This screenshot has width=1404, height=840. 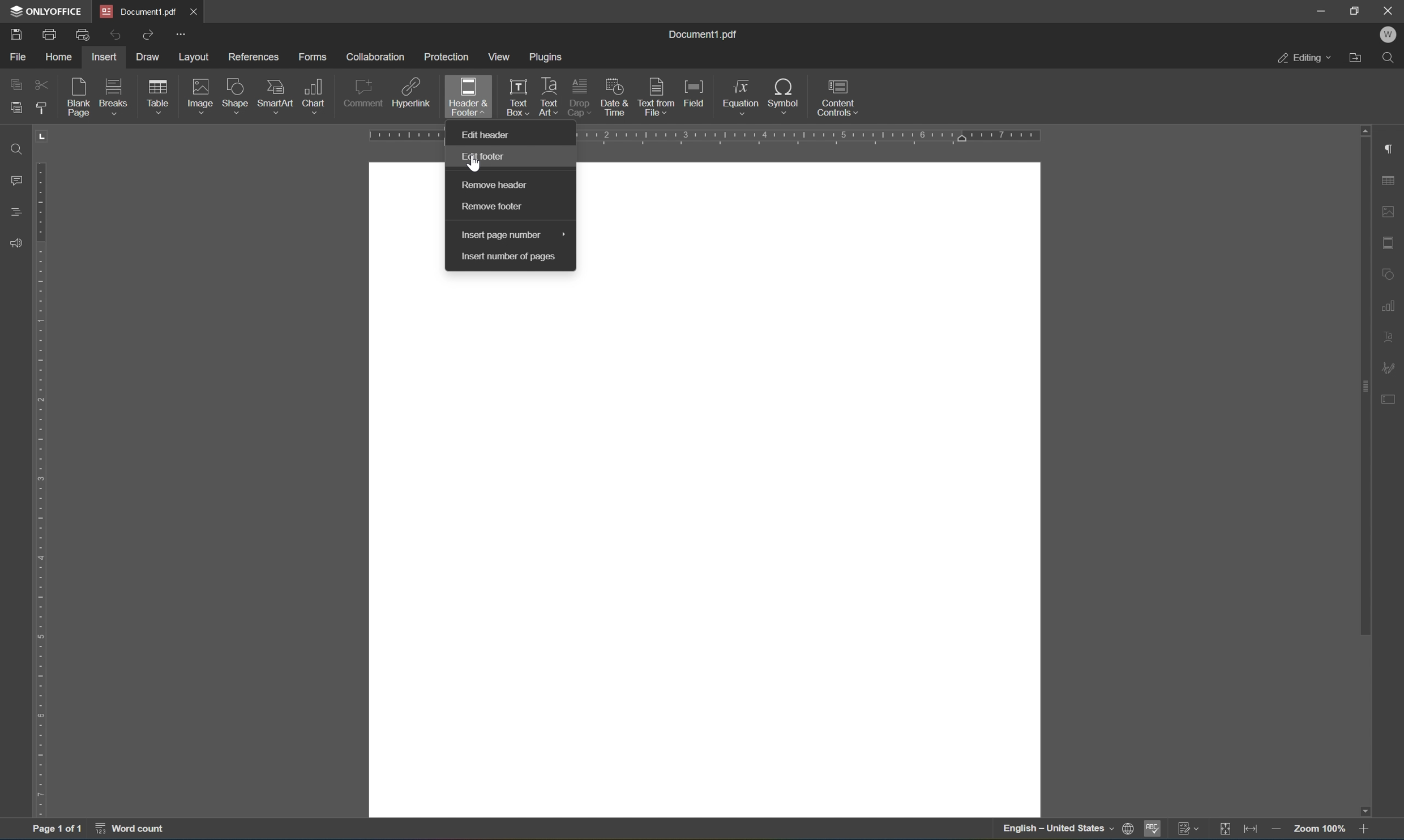 What do you see at coordinates (161, 98) in the screenshot?
I see `table` at bounding box center [161, 98].